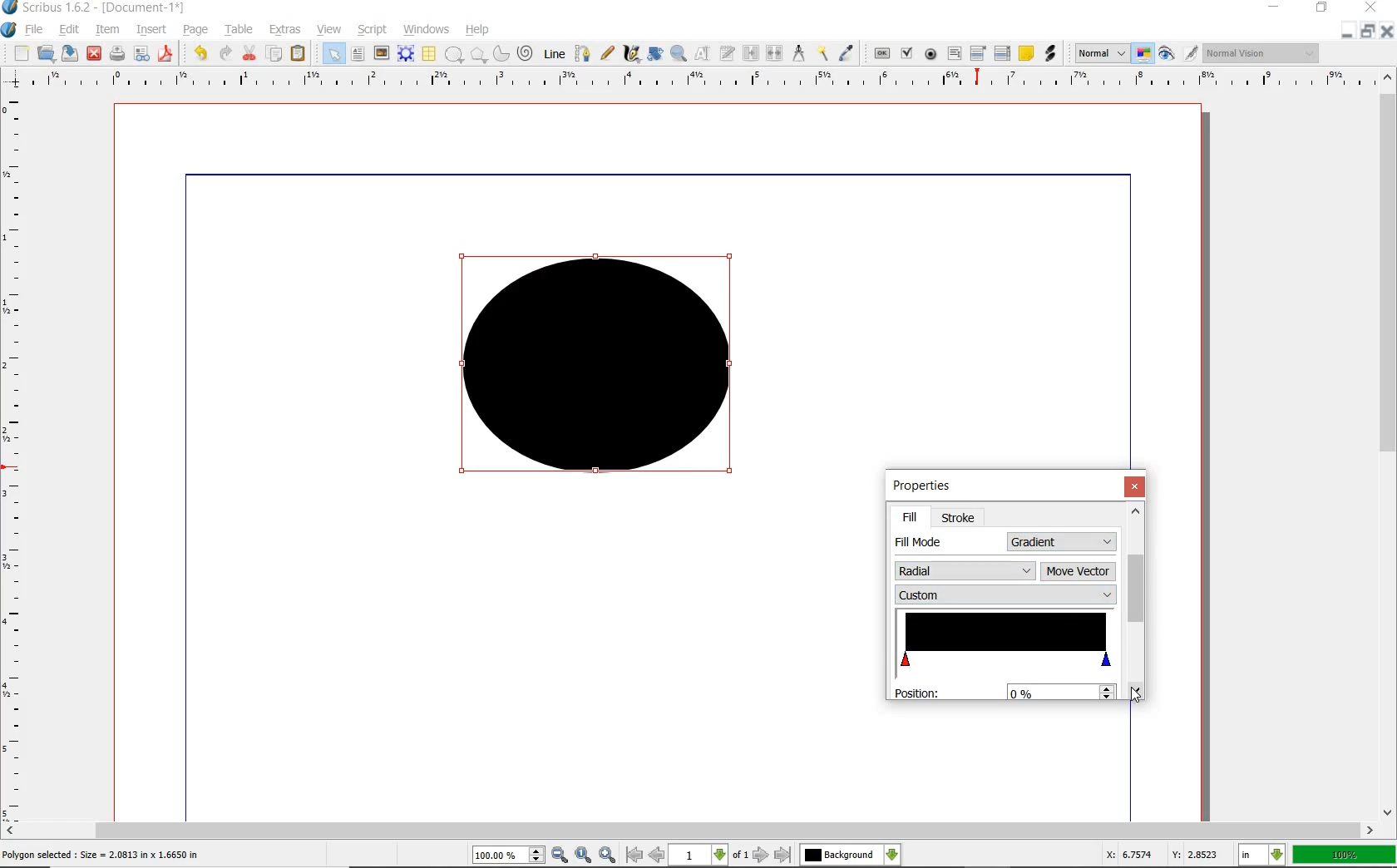  Describe the element at coordinates (9, 30) in the screenshot. I see `SYSTEM LOGO` at that location.